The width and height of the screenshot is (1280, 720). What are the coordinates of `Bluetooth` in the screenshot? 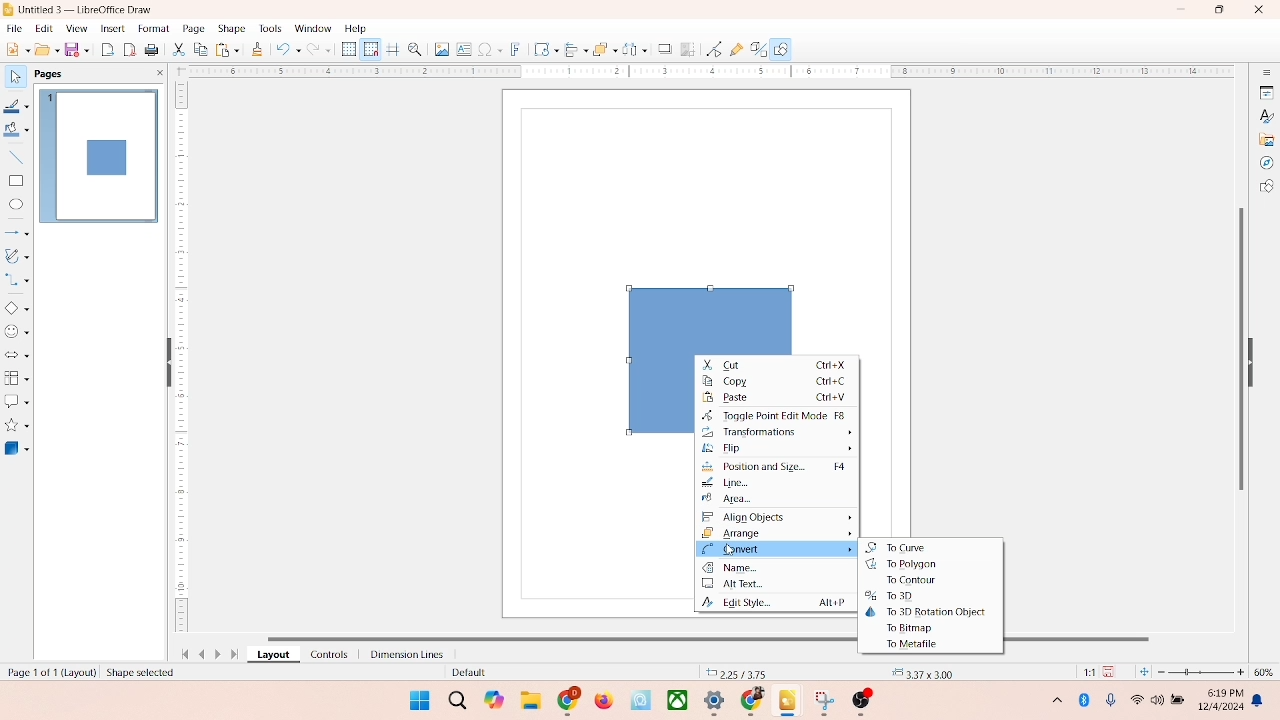 It's located at (1088, 700).